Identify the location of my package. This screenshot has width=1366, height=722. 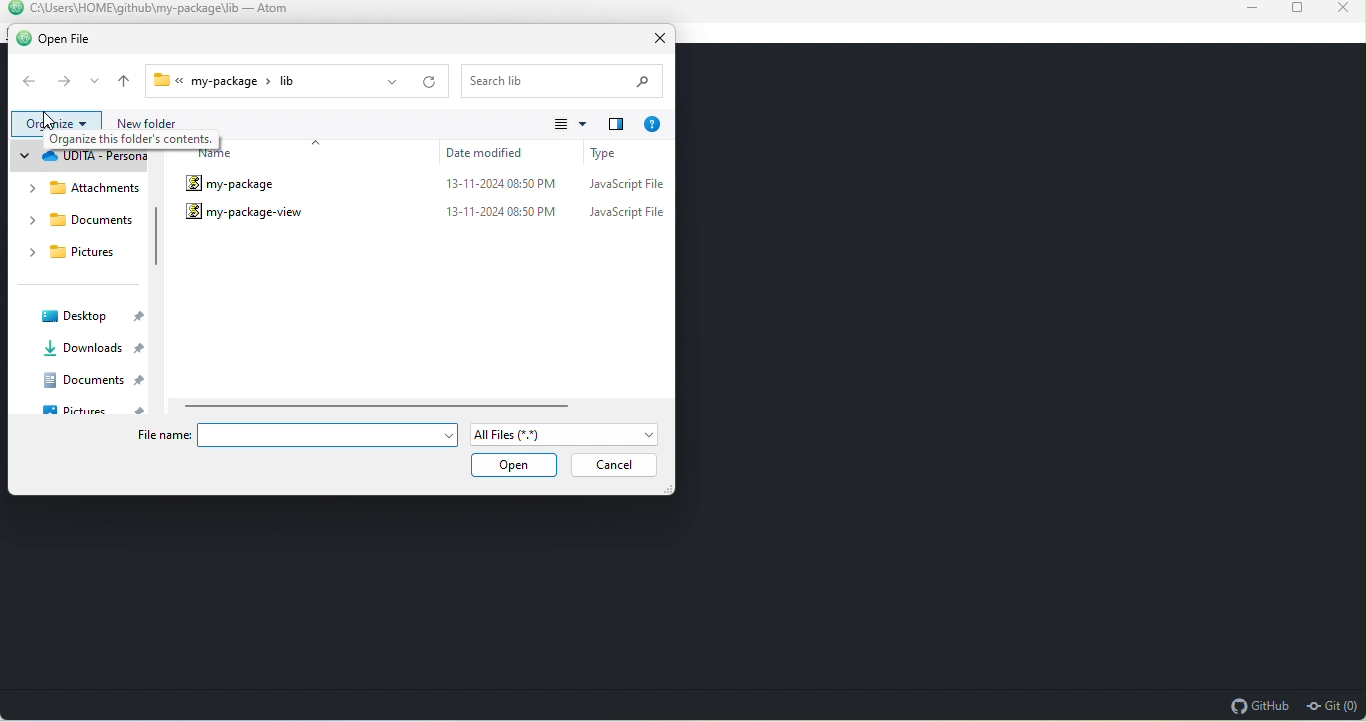
(260, 81).